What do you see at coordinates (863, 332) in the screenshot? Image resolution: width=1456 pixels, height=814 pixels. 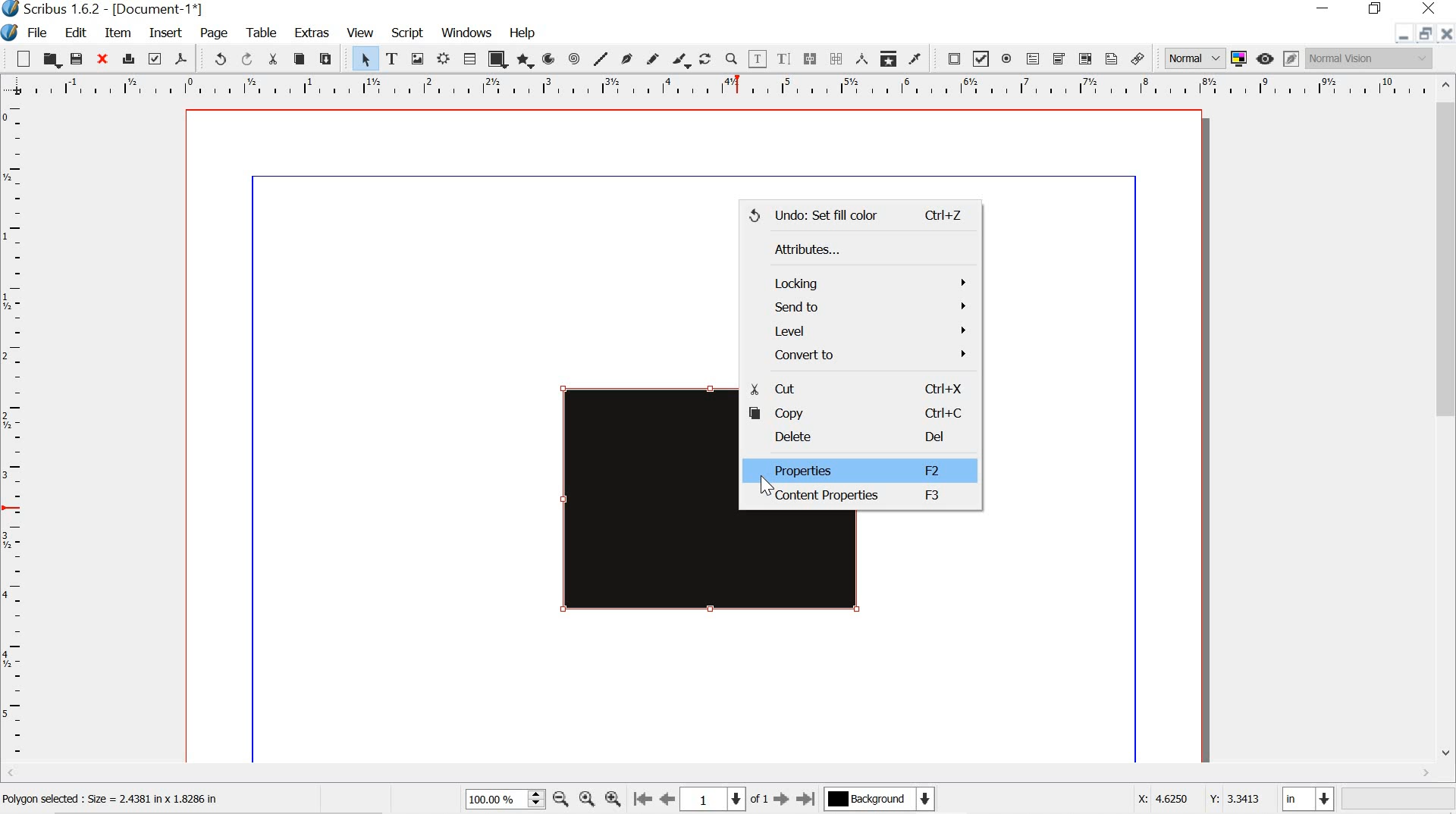 I see `level` at bounding box center [863, 332].